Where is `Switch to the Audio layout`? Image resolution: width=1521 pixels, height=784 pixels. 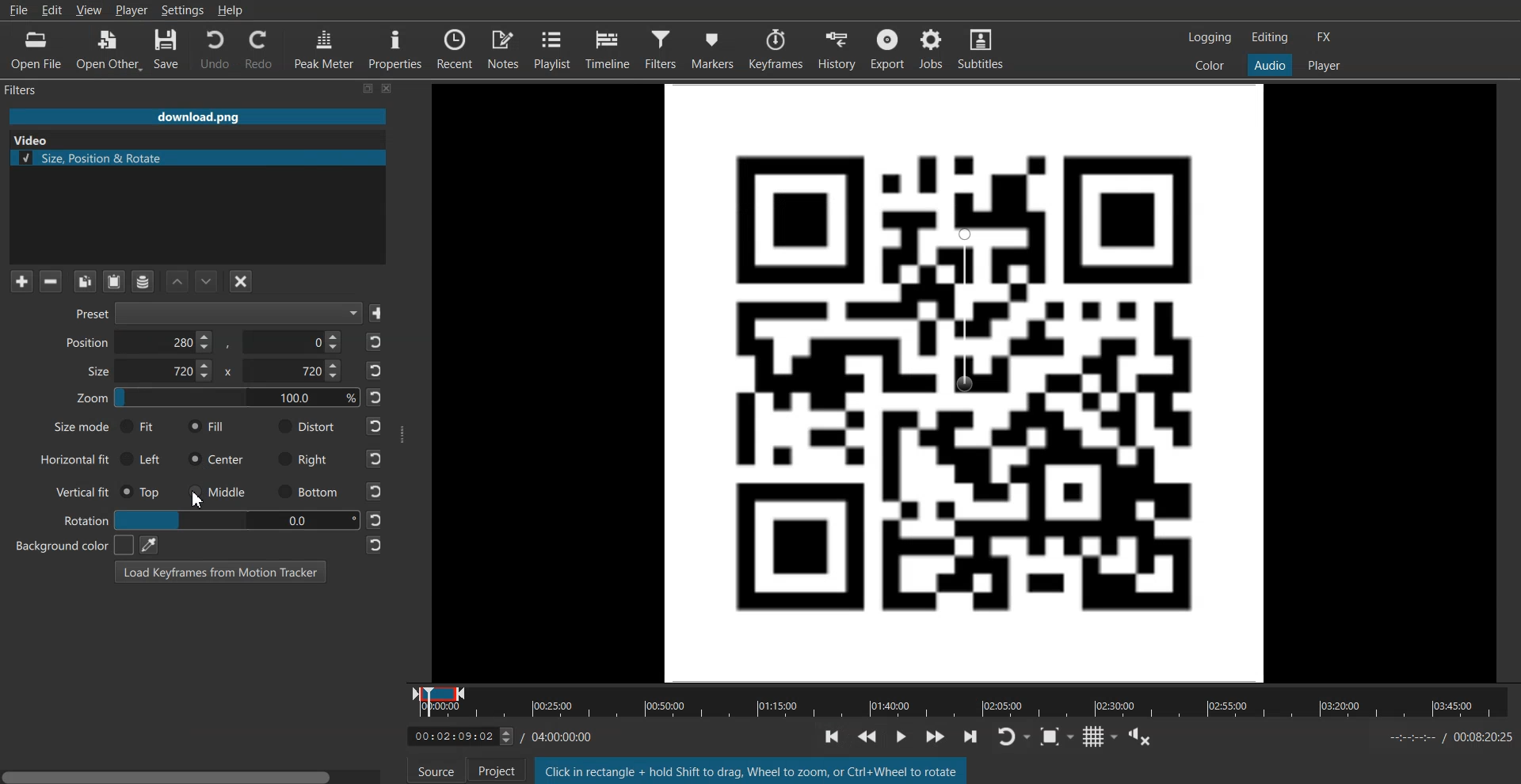 Switch to the Audio layout is located at coordinates (1269, 65).